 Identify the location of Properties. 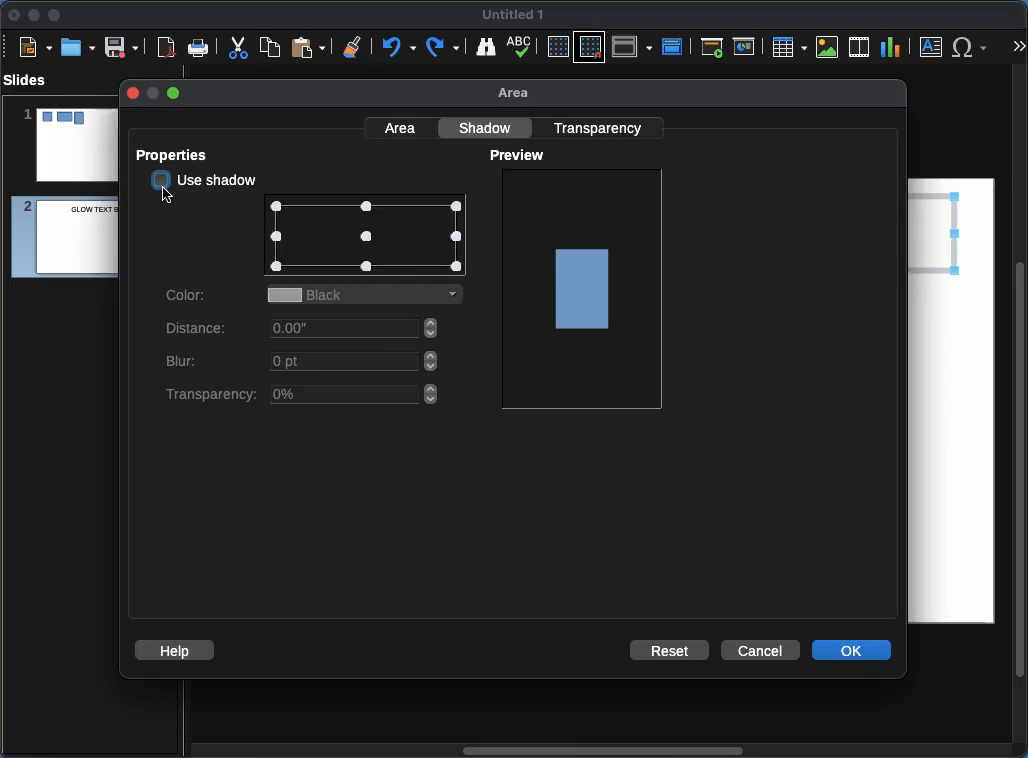
(177, 155).